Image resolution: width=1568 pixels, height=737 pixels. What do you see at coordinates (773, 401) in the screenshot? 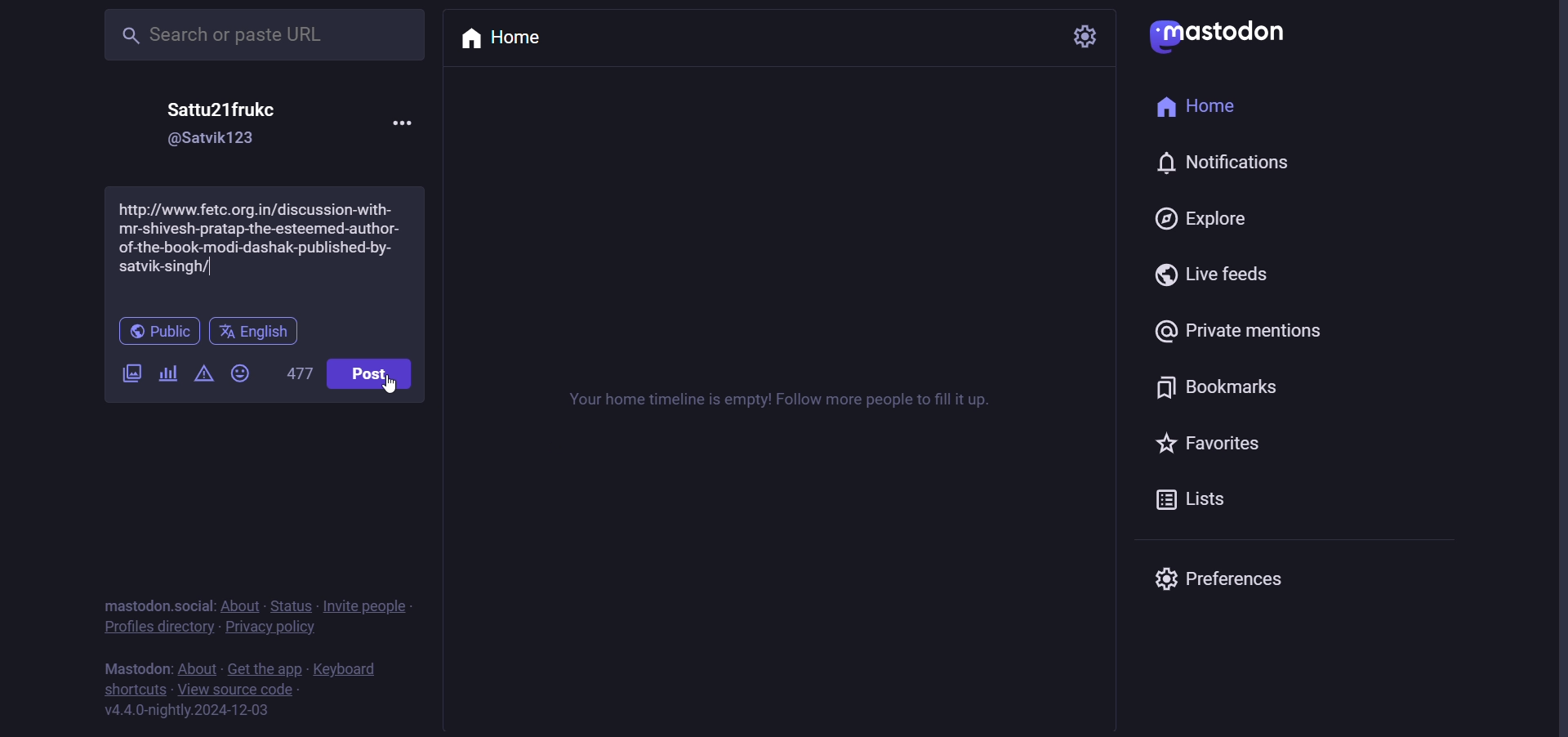
I see `your home timeline is empty` at bounding box center [773, 401].